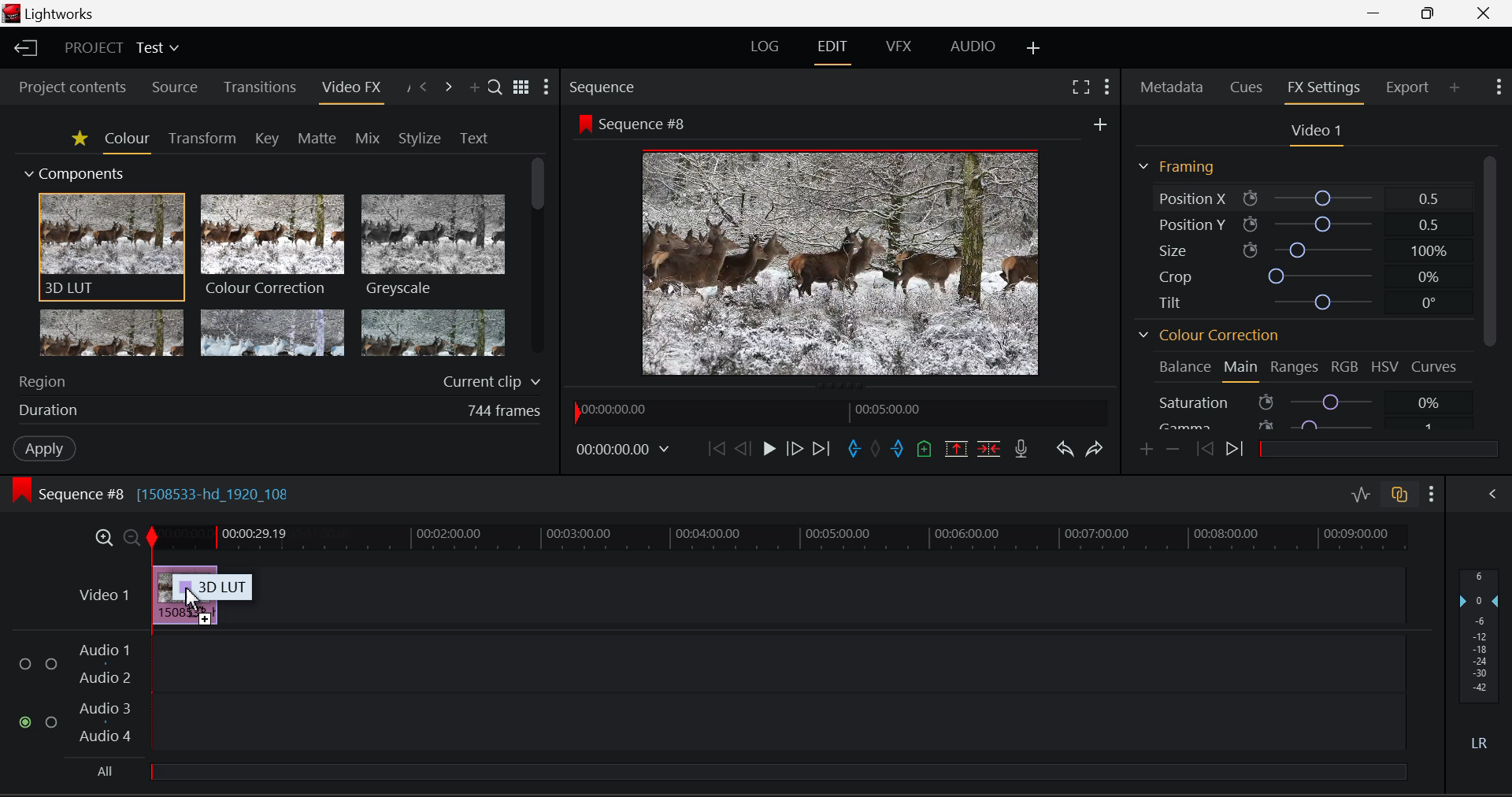 This screenshot has width=1512, height=797. What do you see at coordinates (425, 85) in the screenshot?
I see `Previous Panel` at bounding box center [425, 85].